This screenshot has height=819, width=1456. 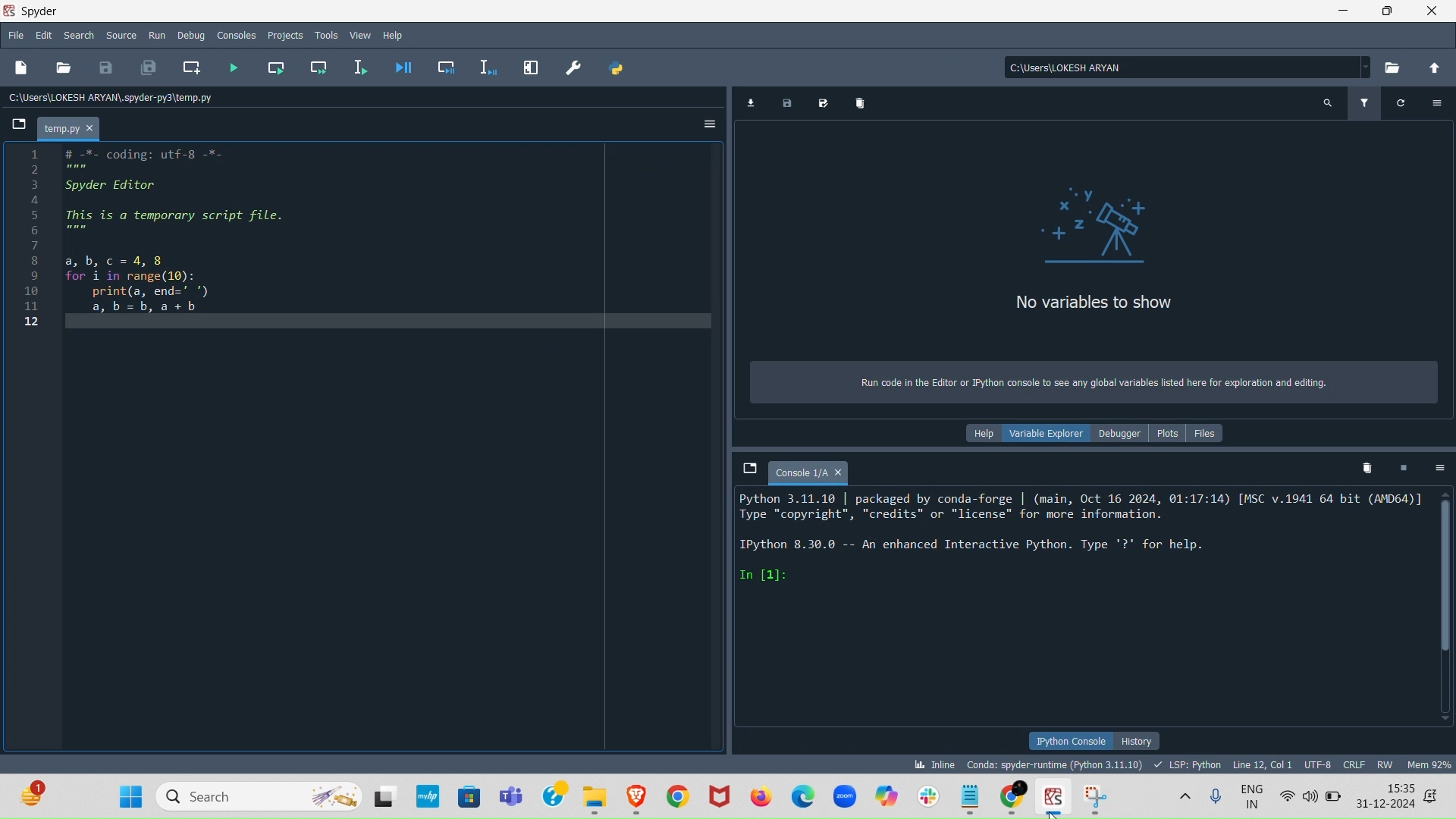 I want to click on Interrupt kernel, so click(x=1406, y=466).